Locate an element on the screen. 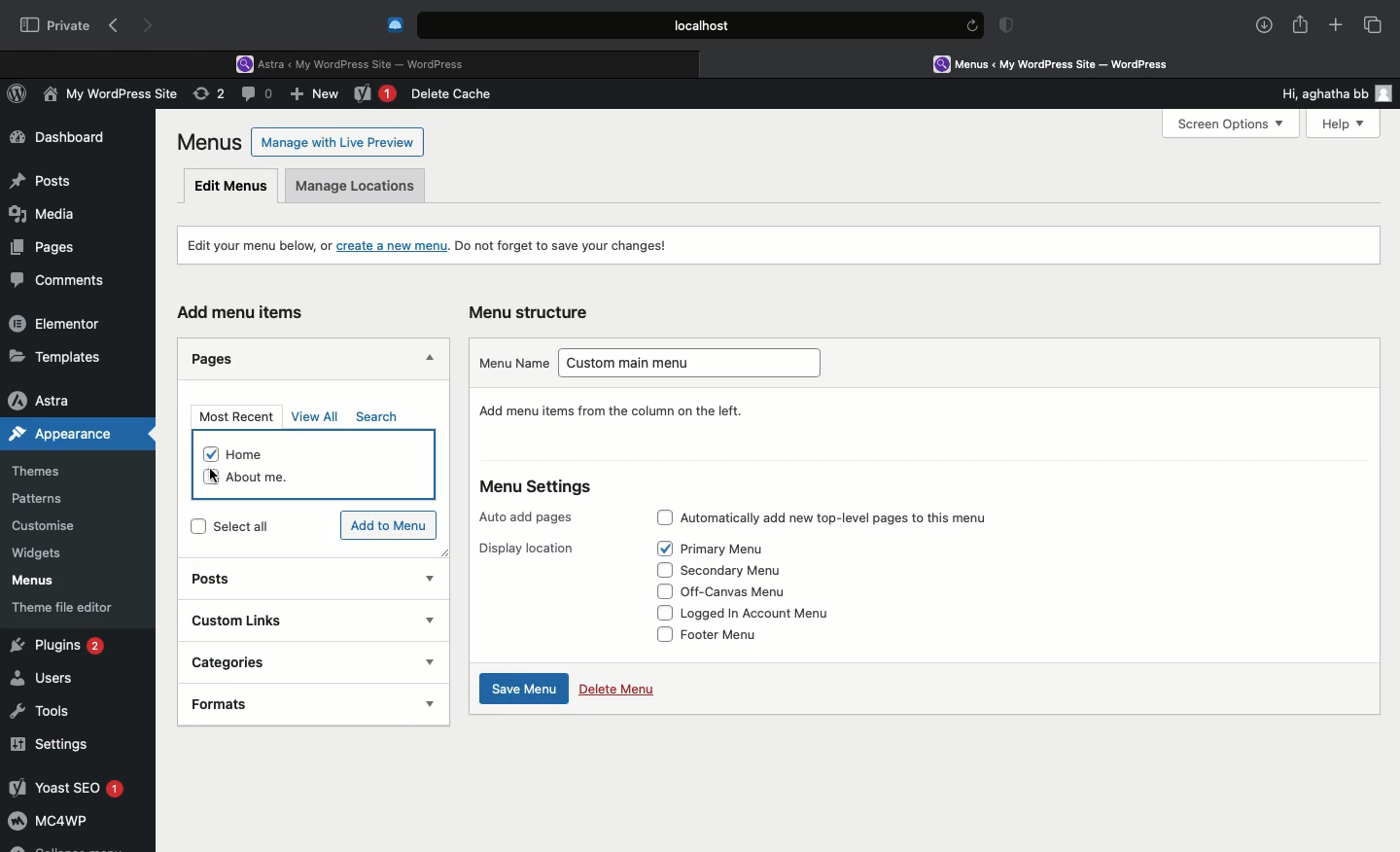 The width and height of the screenshot is (1400, 852). Check box is located at coordinates (659, 571).